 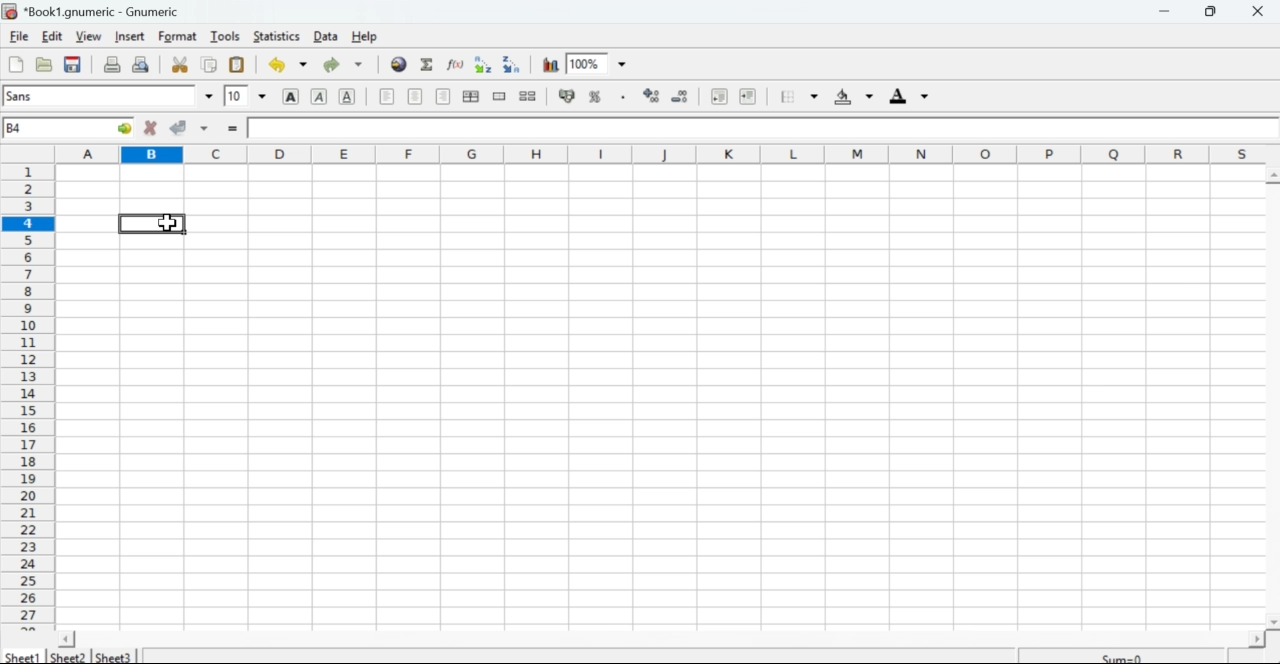 I want to click on Accept change, so click(x=182, y=128).